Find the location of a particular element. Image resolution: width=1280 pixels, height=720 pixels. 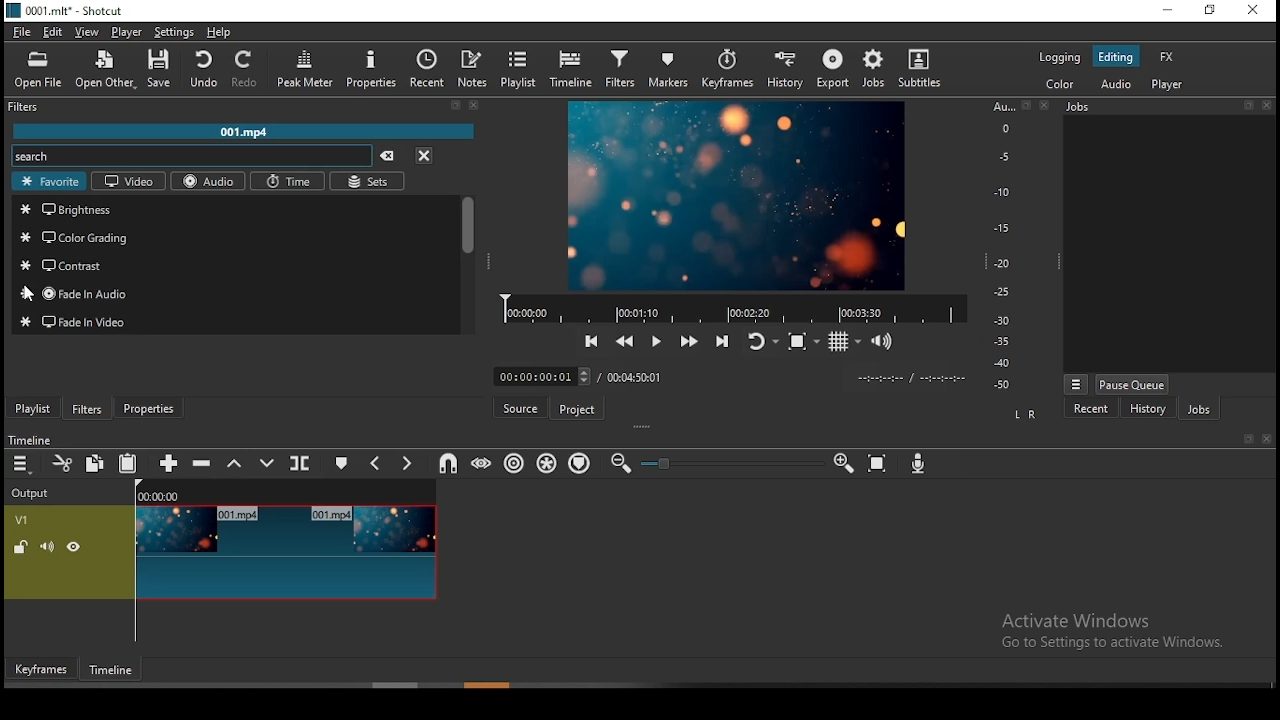

audio is located at coordinates (1112, 82).